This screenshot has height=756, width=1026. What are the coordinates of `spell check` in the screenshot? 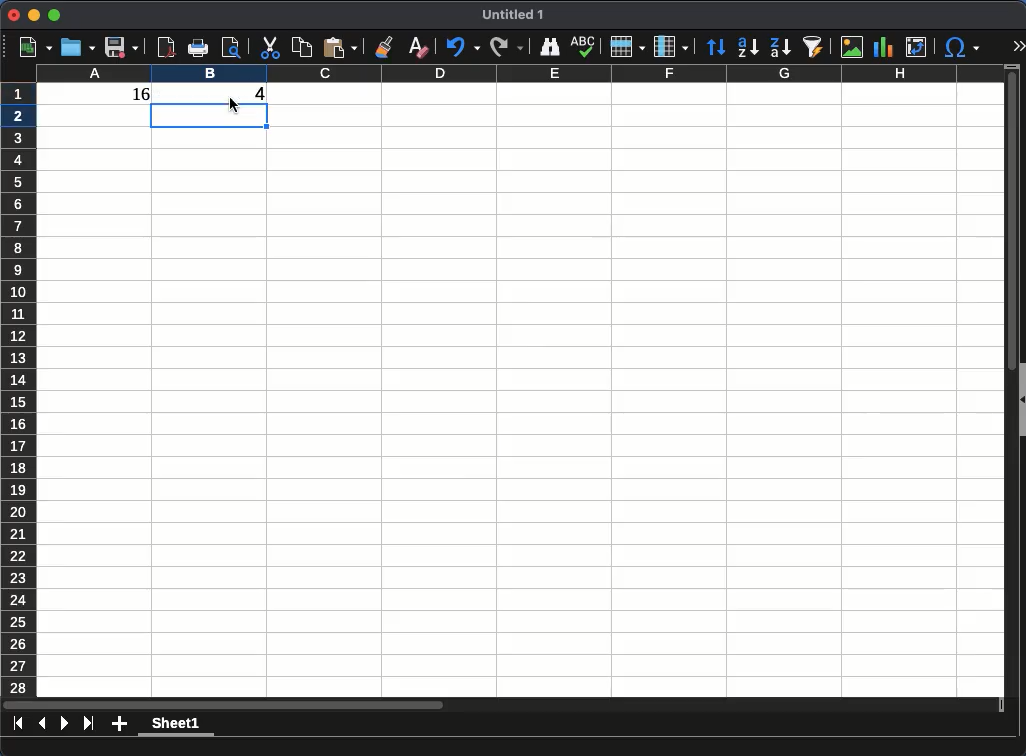 It's located at (584, 47).